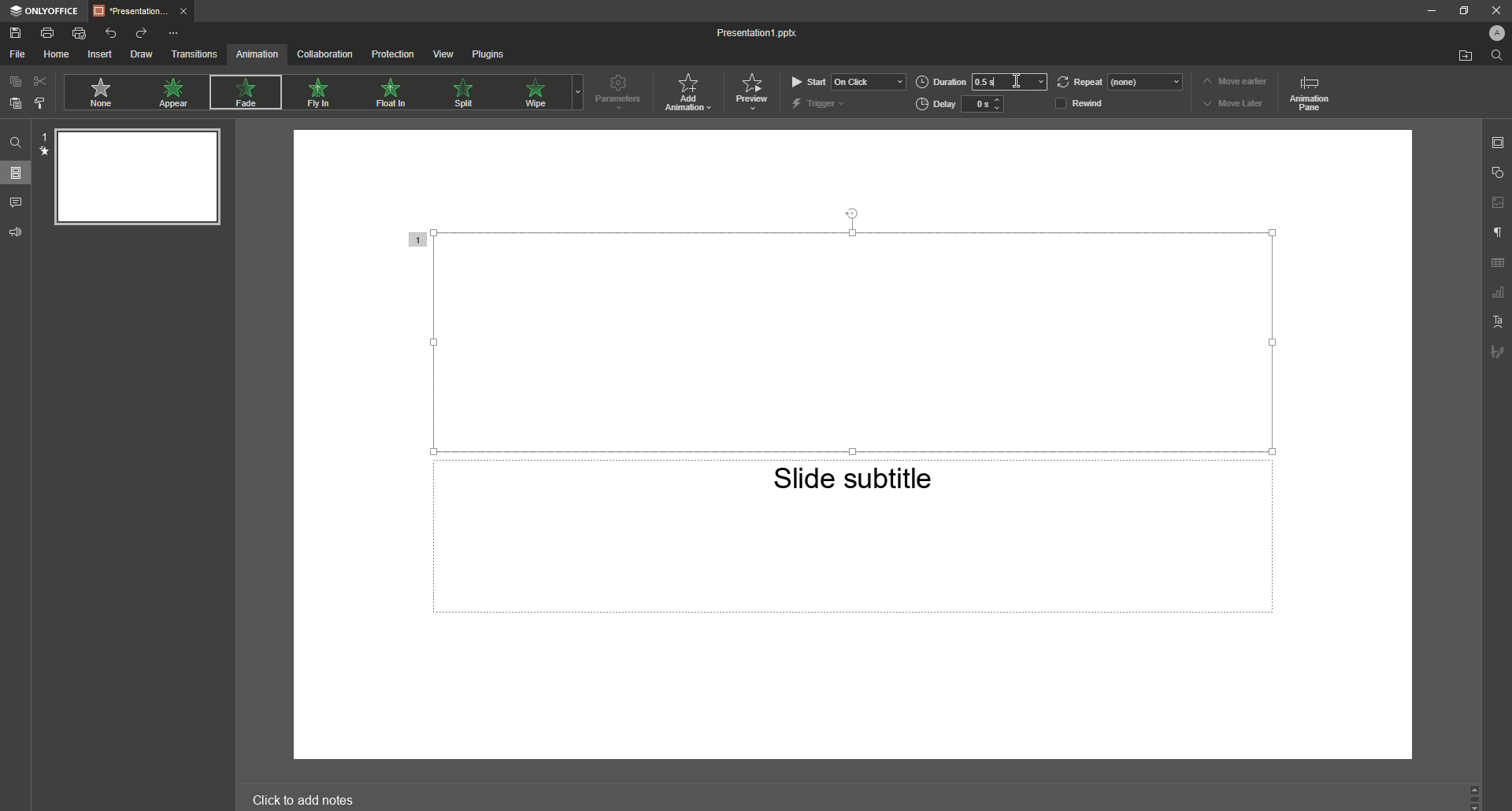 This screenshot has width=1512, height=811. I want to click on Slide subtitle, so click(855, 484).